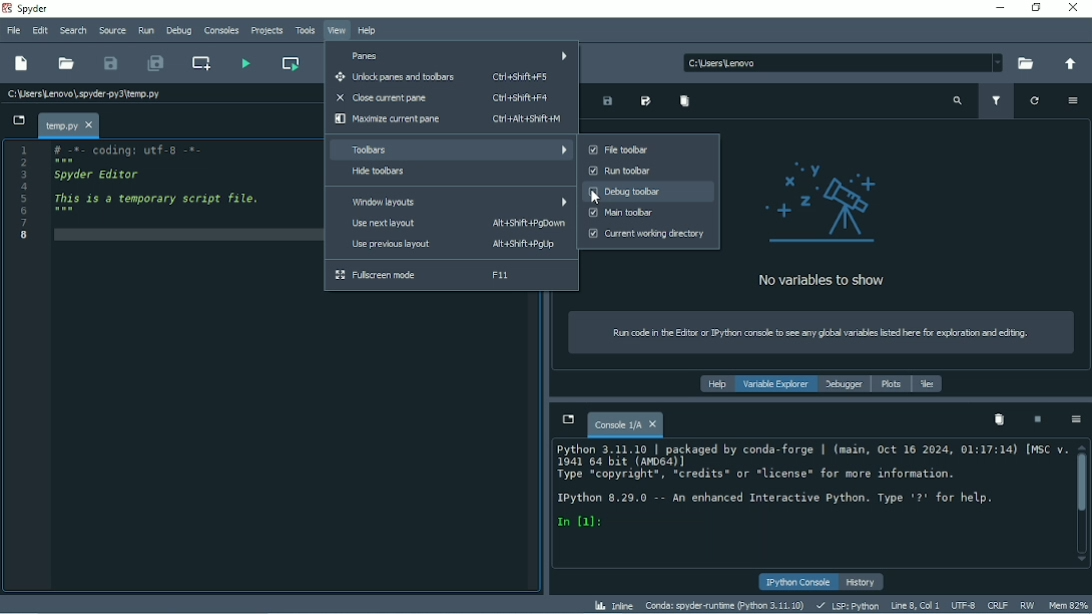 The height and width of the screenshot is (614, 1092). I want to click on Run, so click(145, 31).